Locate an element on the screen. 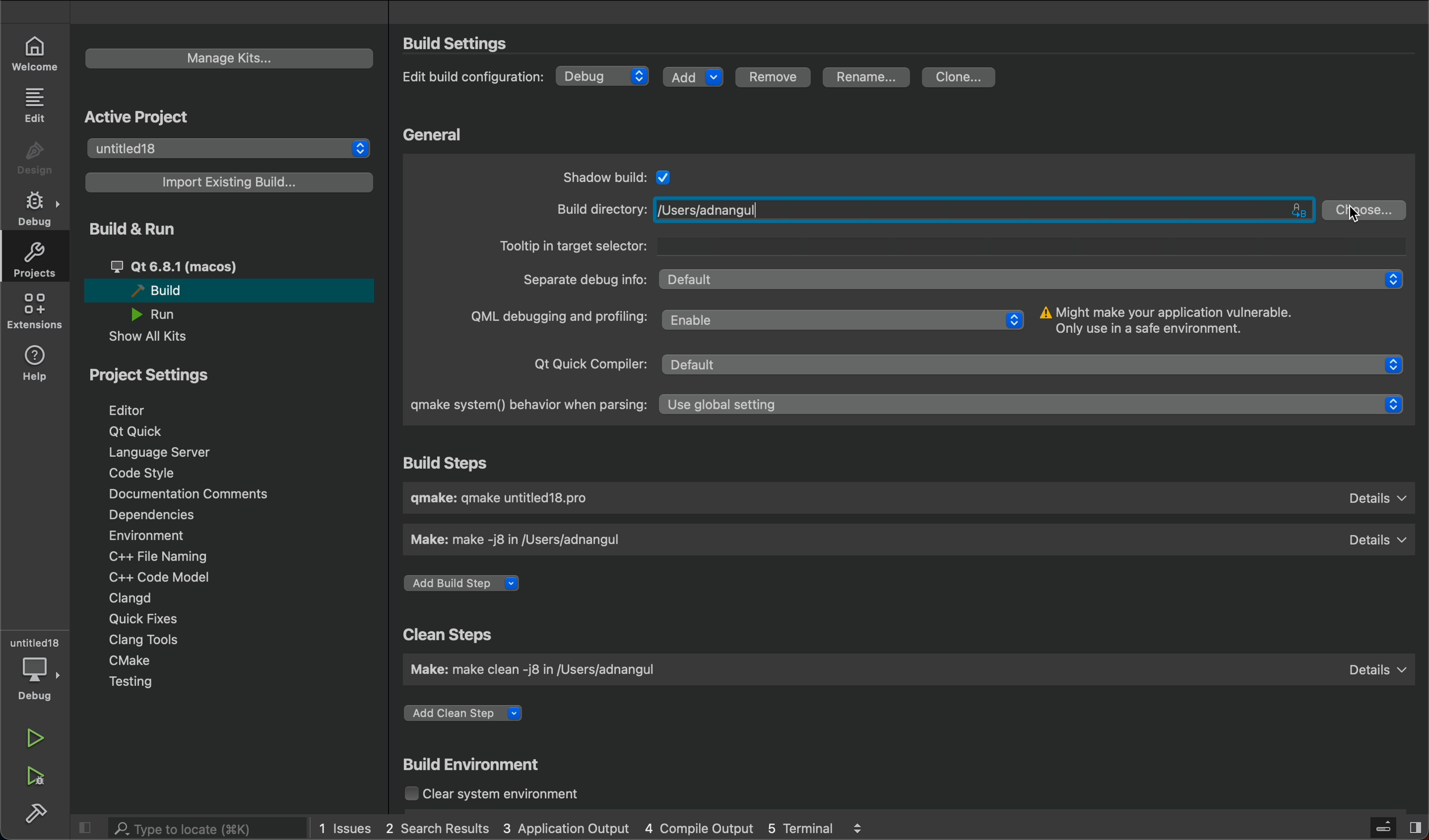  checkbox is located at coordinates (665, 175).